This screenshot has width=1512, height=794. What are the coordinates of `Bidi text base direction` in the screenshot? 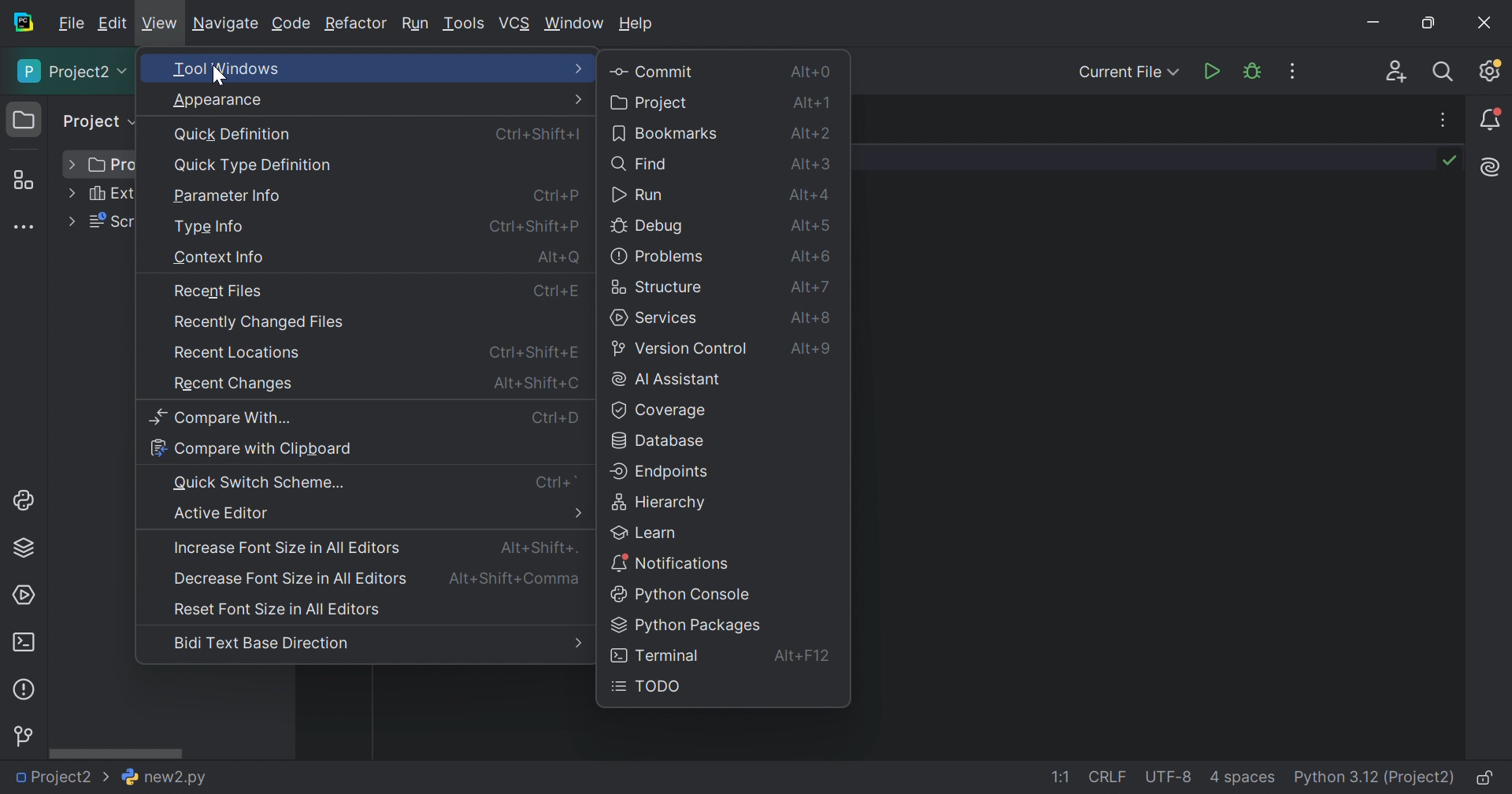 It's located at (261, 646).